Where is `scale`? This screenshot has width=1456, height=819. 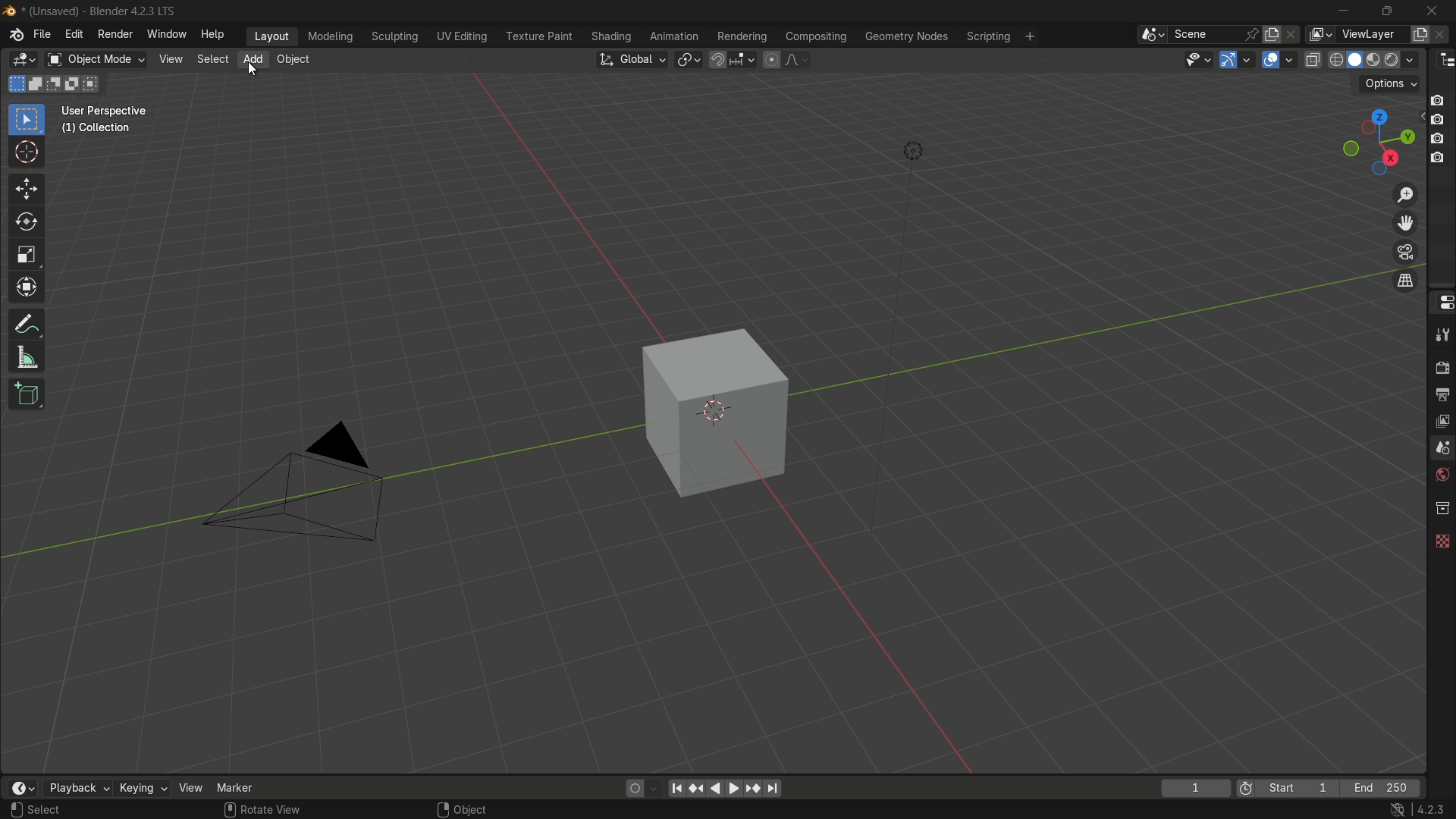
scale is located at coordinates (26, 255).